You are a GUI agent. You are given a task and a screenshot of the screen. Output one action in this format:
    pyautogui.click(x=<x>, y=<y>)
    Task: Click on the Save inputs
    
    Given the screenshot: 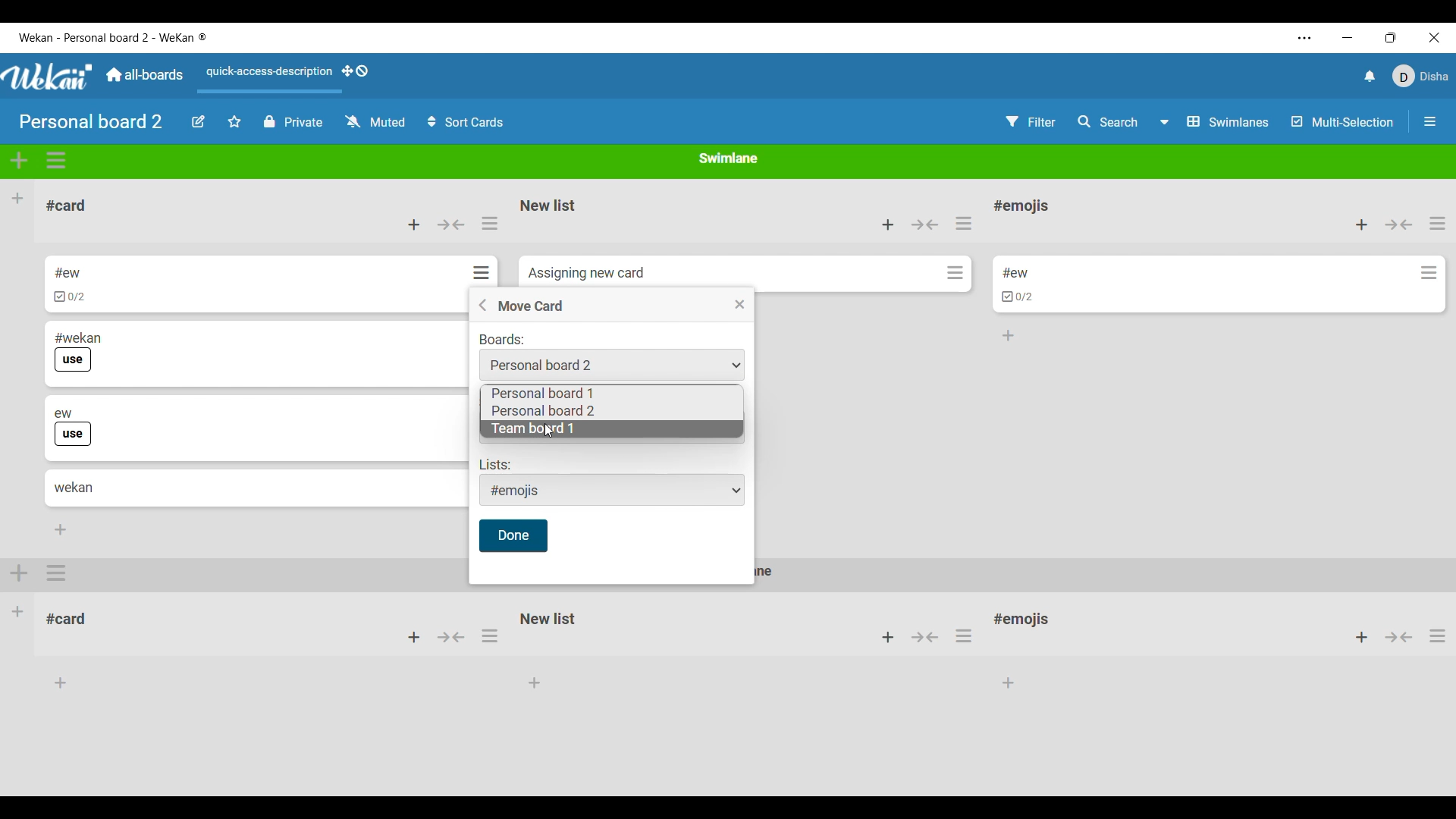 What is the action you would take?
    pyautogui.click(x=513, y=536)
    